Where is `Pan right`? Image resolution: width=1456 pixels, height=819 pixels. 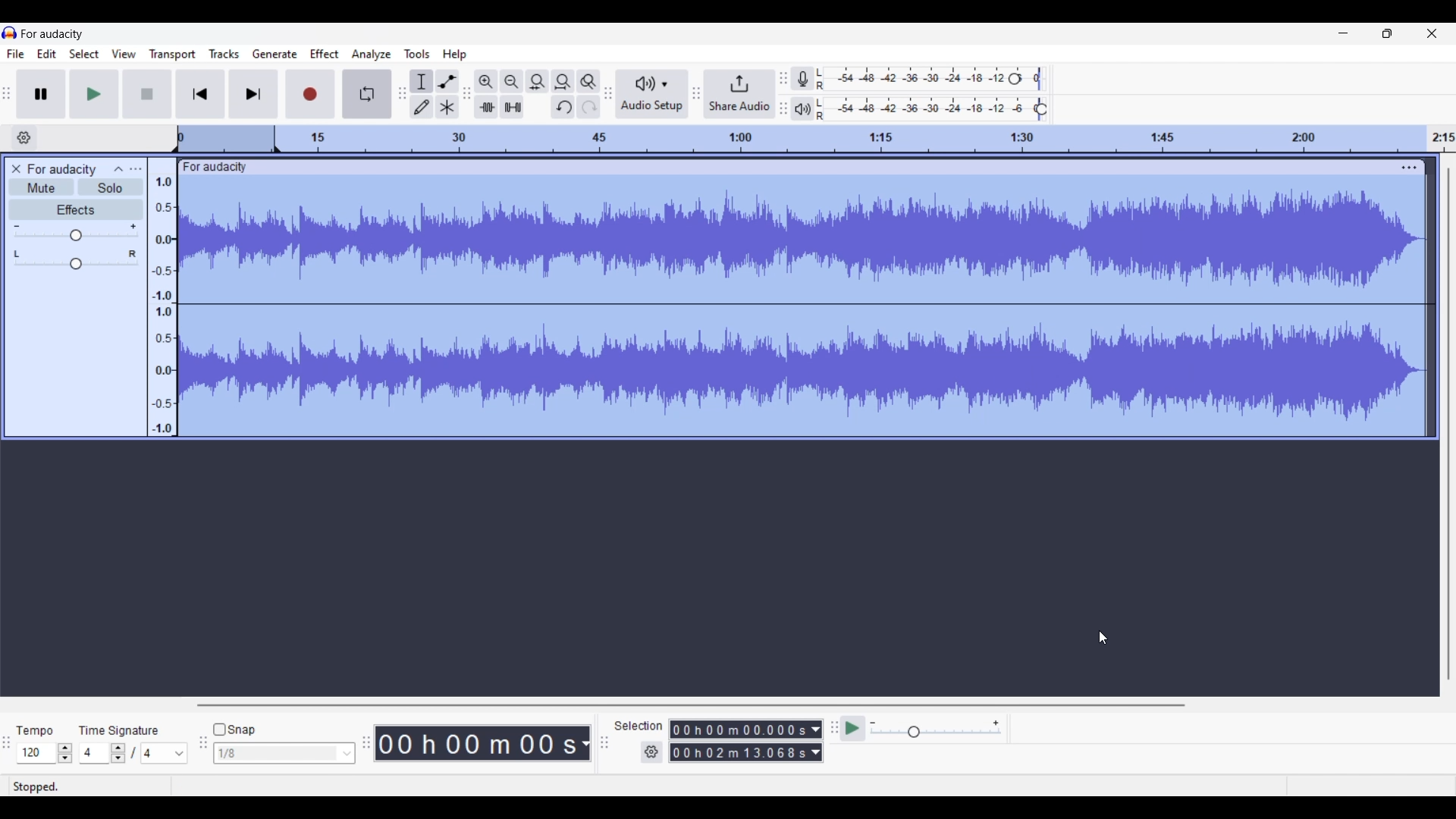
Pan right is located at coordinates (133, 254).